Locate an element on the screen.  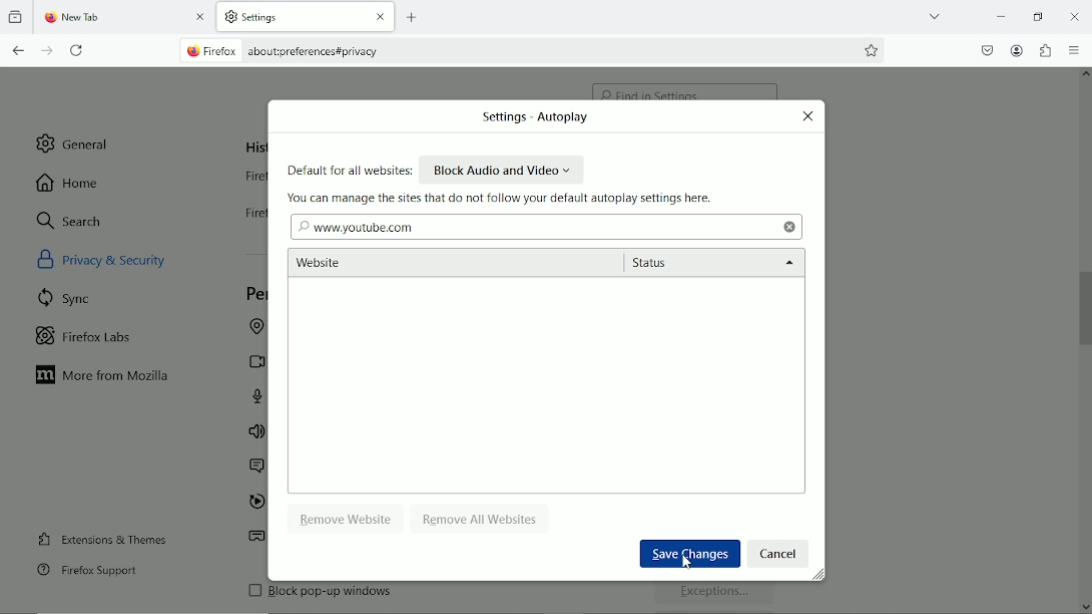
extensions & themes is located at coordinates (100, 538).